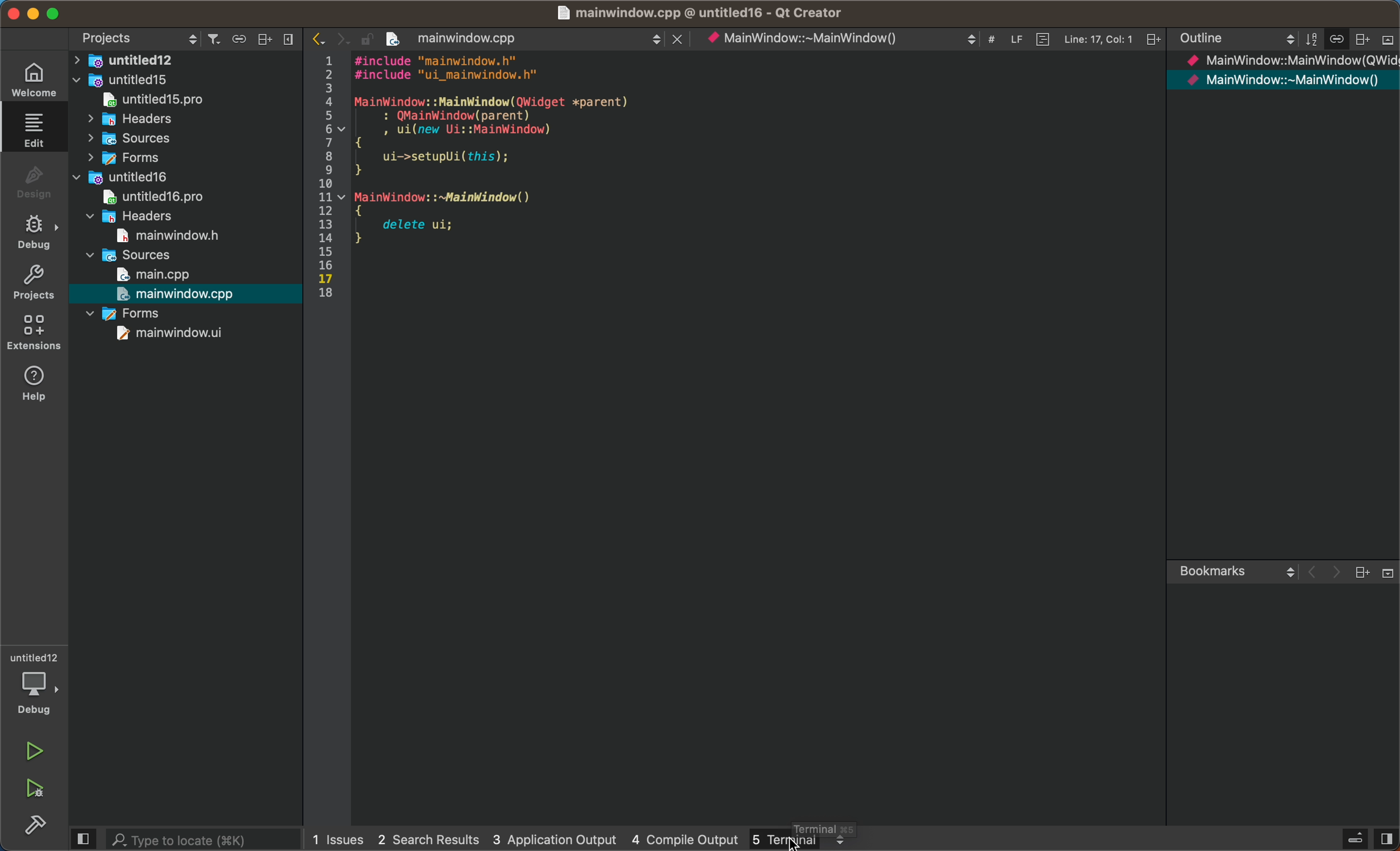 This screenshot has width=1400, height=851. I want to click on Unlock, so click(364, 38).